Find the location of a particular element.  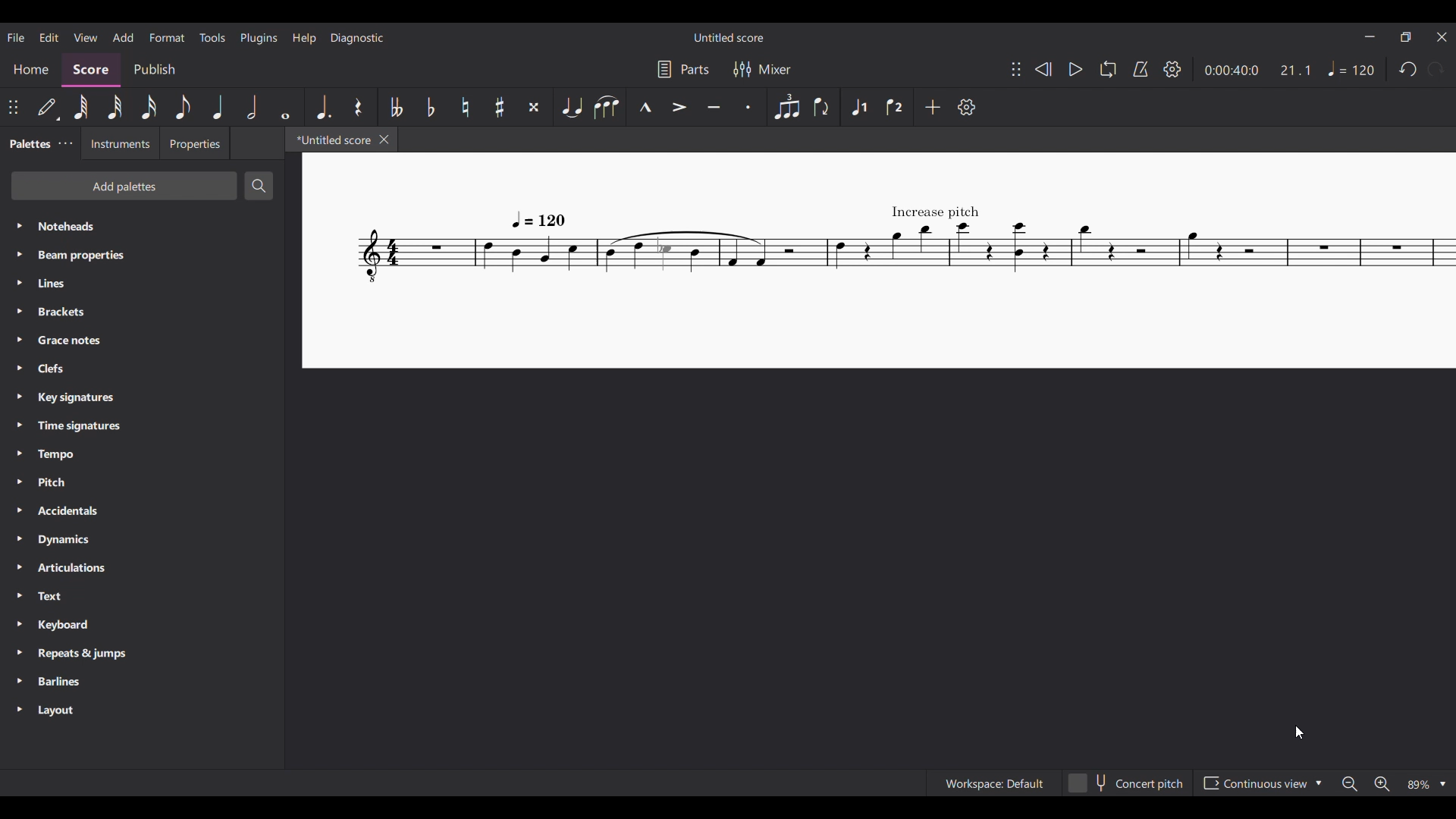

Clefs is located at coordinates (142, 369).